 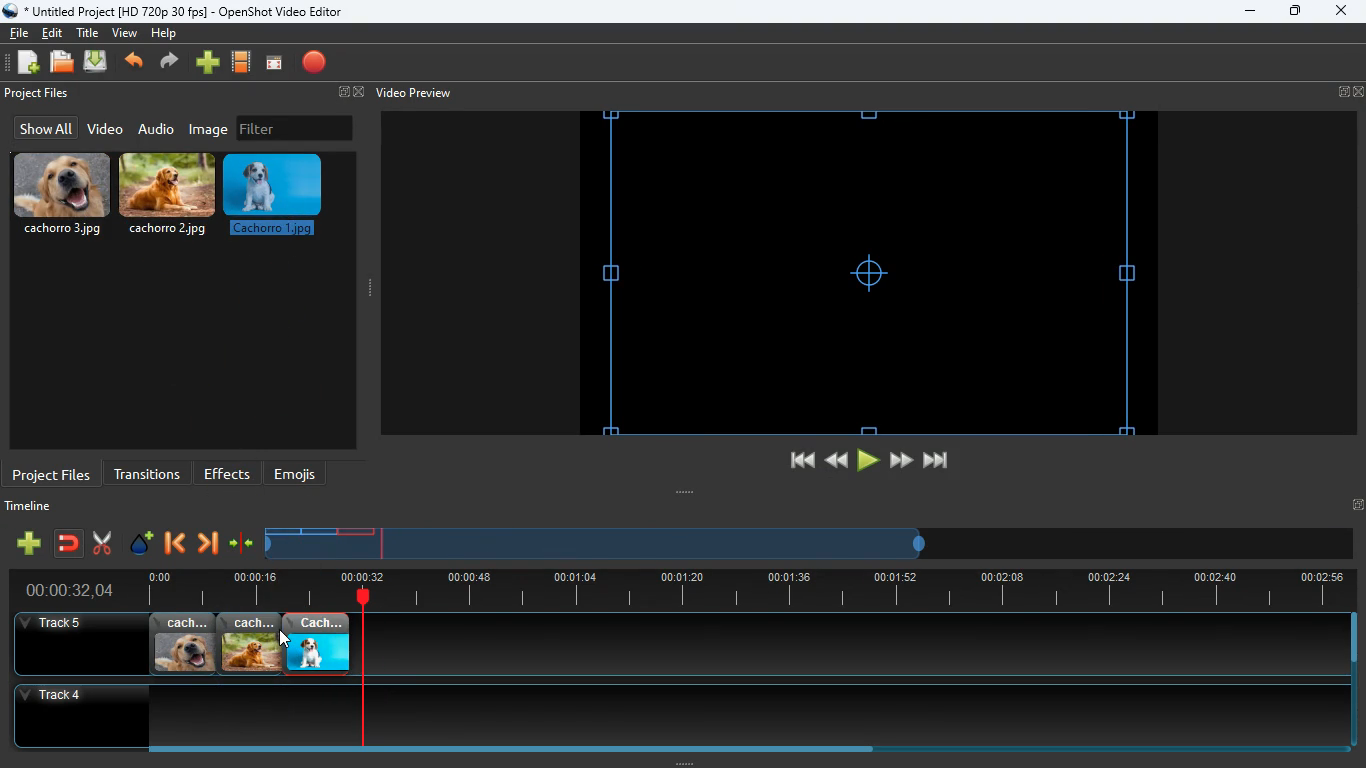 What do you see at coordinates (104, 130) in the screenshot?
I see `video` at bounding box center [104, 130].